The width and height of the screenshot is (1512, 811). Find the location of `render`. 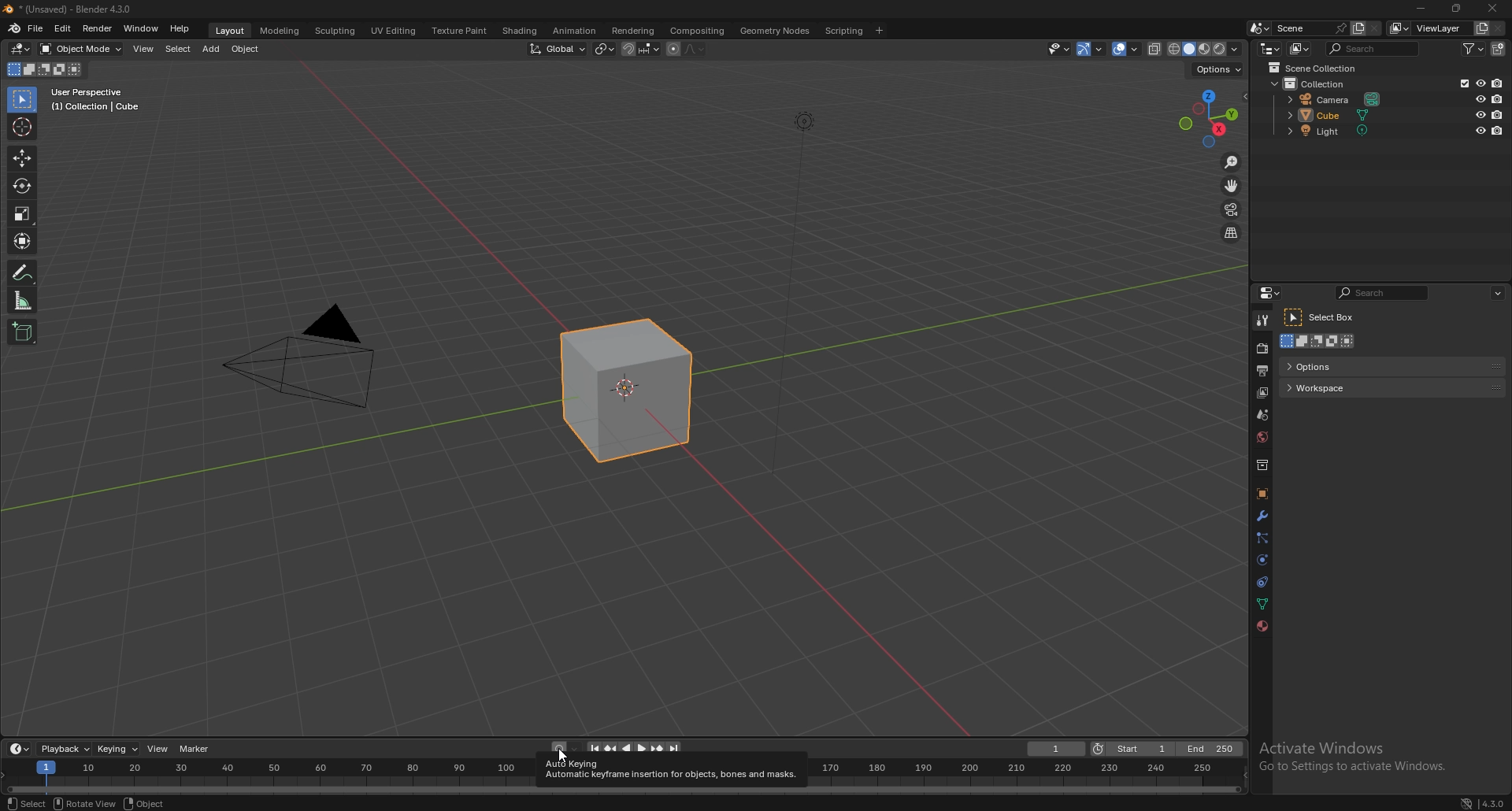

render is located at coordinates (1263, 348).